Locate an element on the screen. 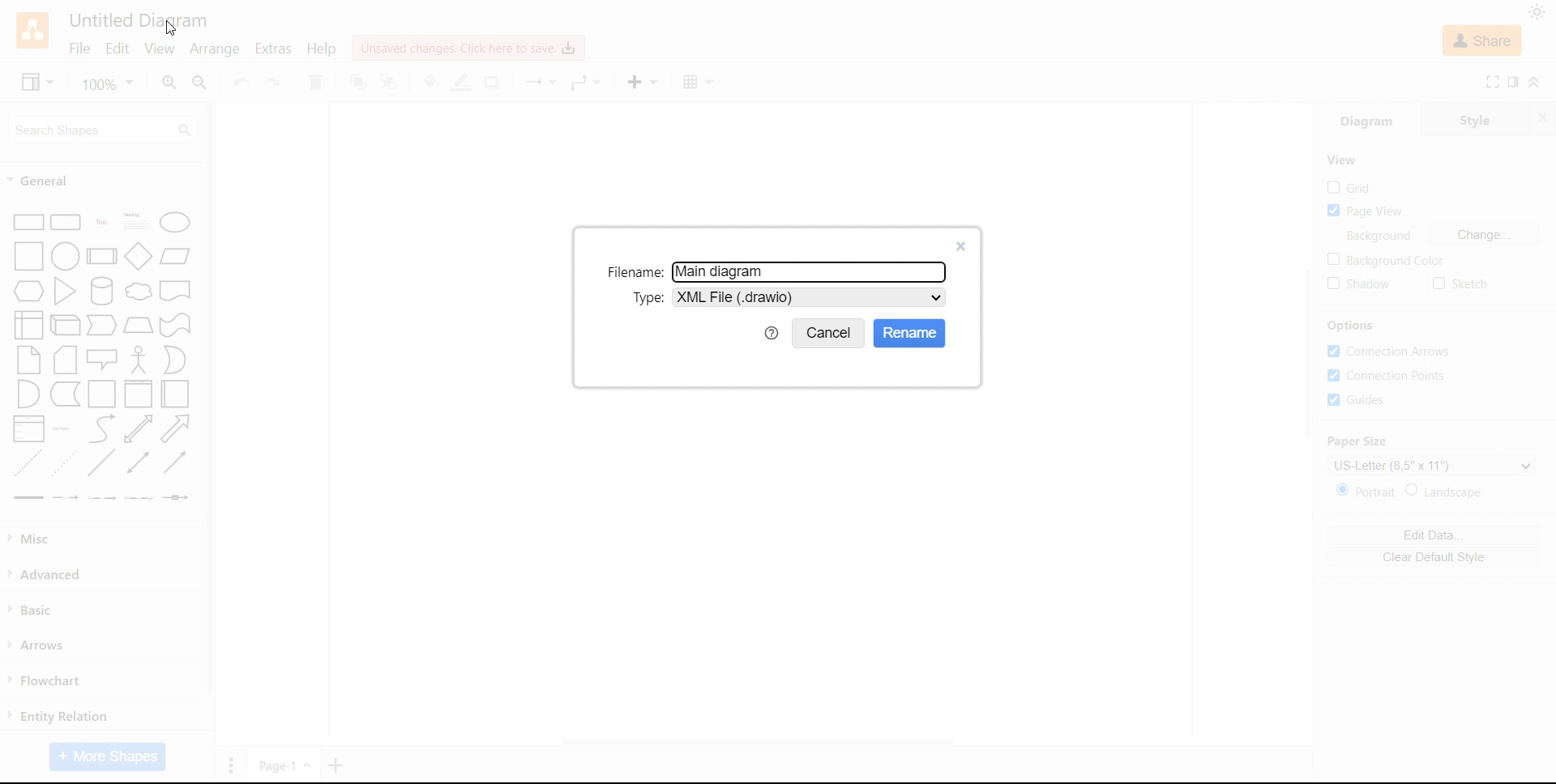 The height and width of the screenshot is (784, 1556). General  is located at coordinates (41, 181).